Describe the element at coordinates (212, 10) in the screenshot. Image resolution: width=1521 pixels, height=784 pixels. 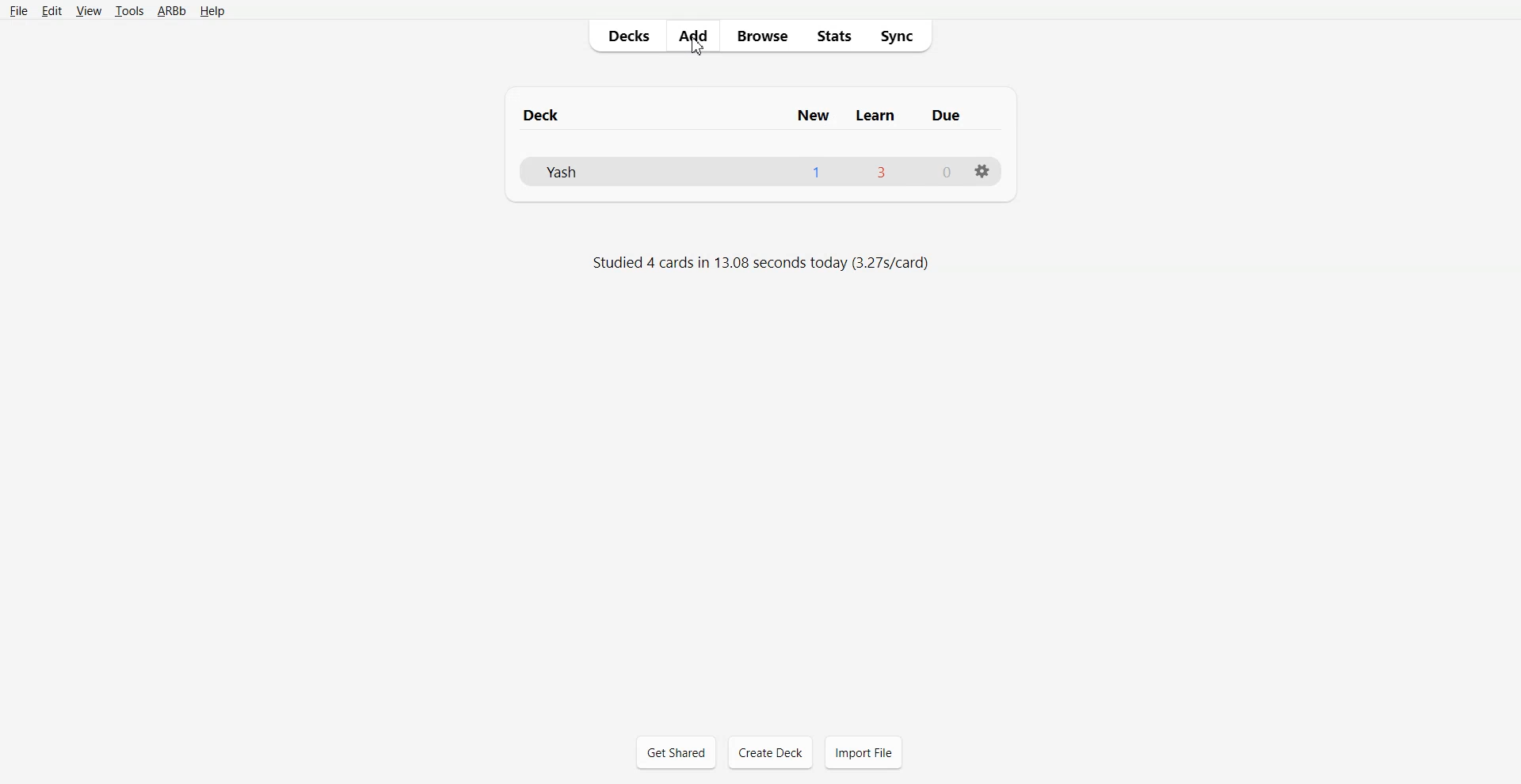
I see `Help` at that location.